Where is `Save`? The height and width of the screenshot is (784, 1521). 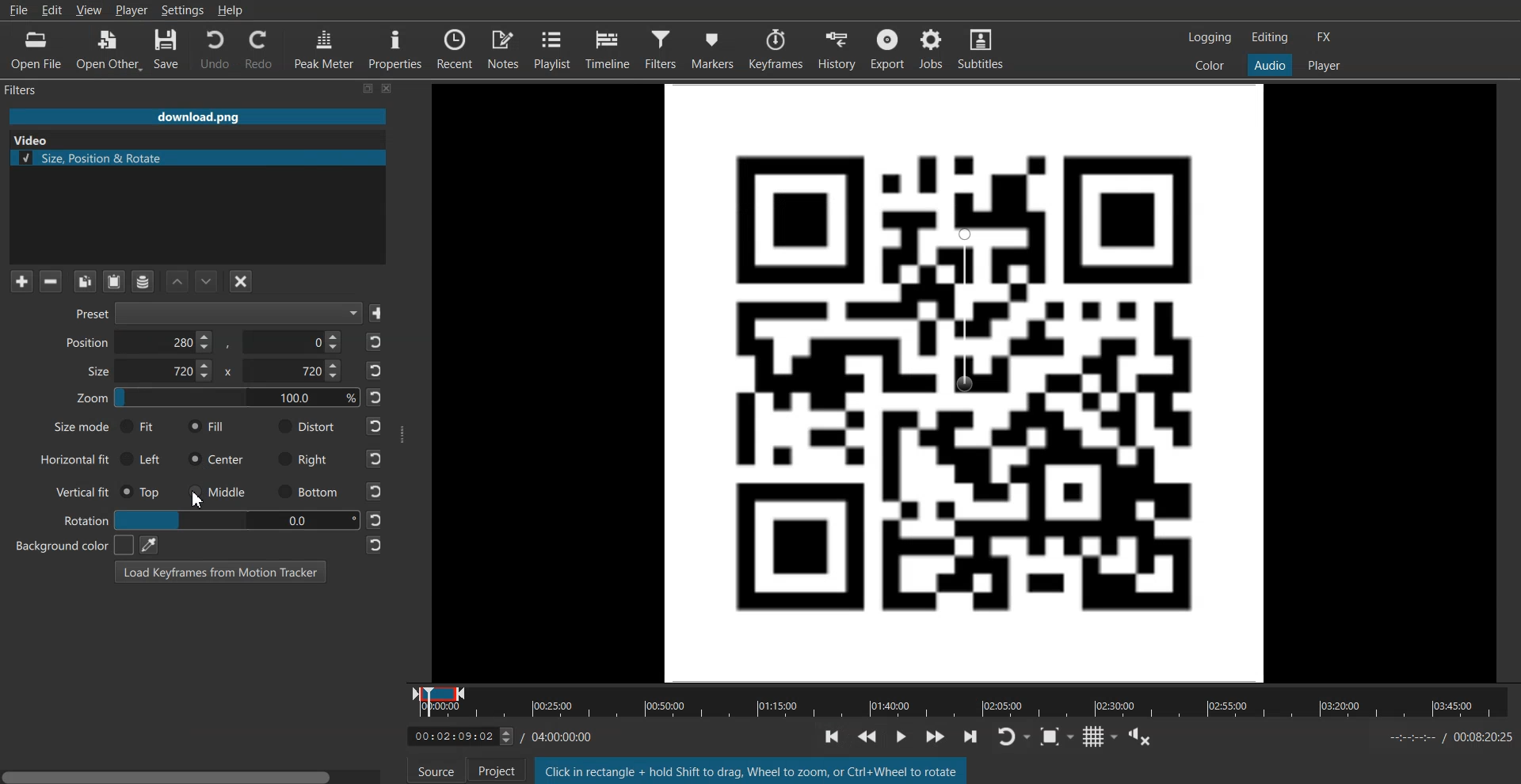
Save is located at coordinates (379, 314).